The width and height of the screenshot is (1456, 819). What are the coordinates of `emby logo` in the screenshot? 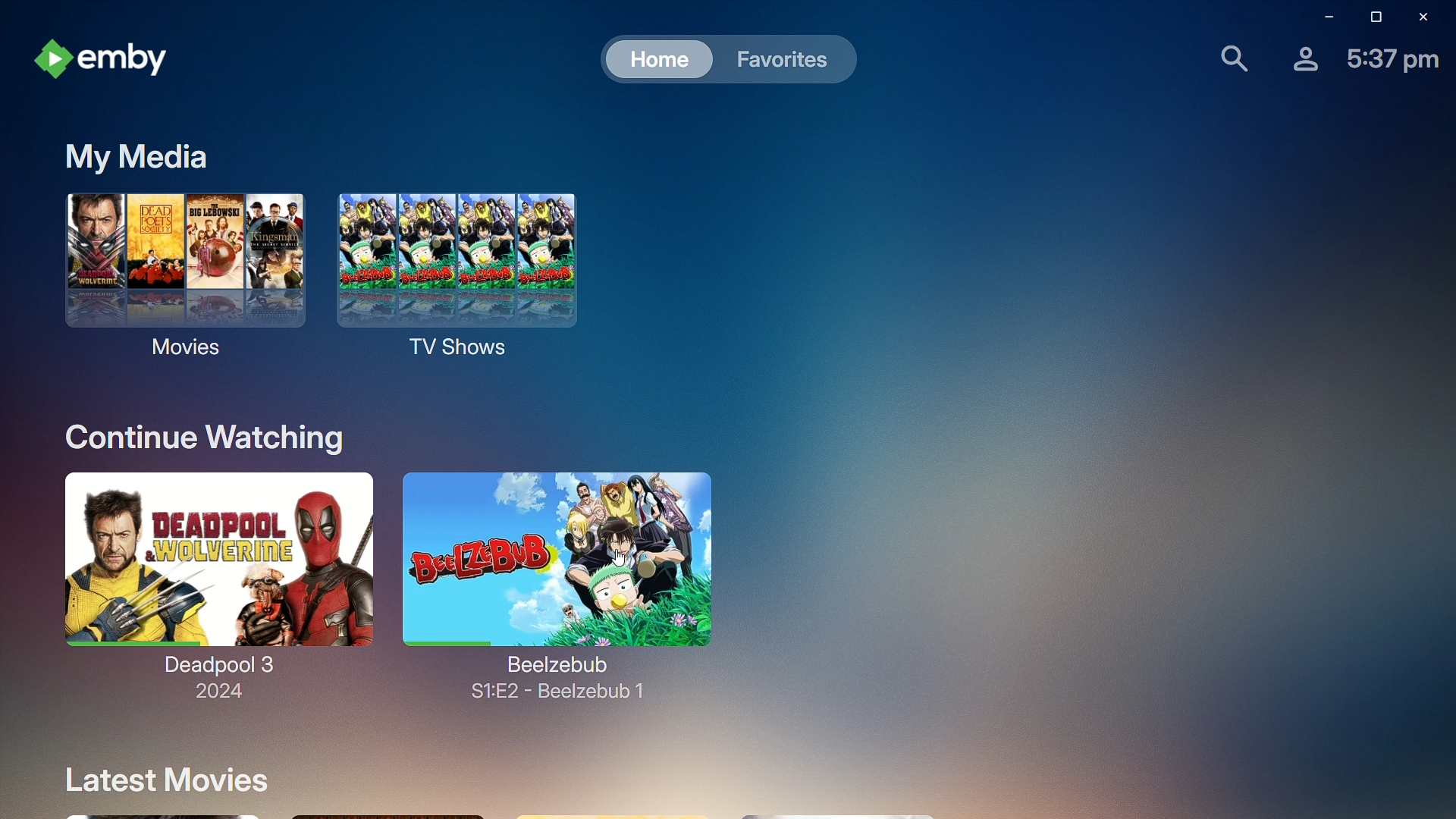 It's located at (47, 59).